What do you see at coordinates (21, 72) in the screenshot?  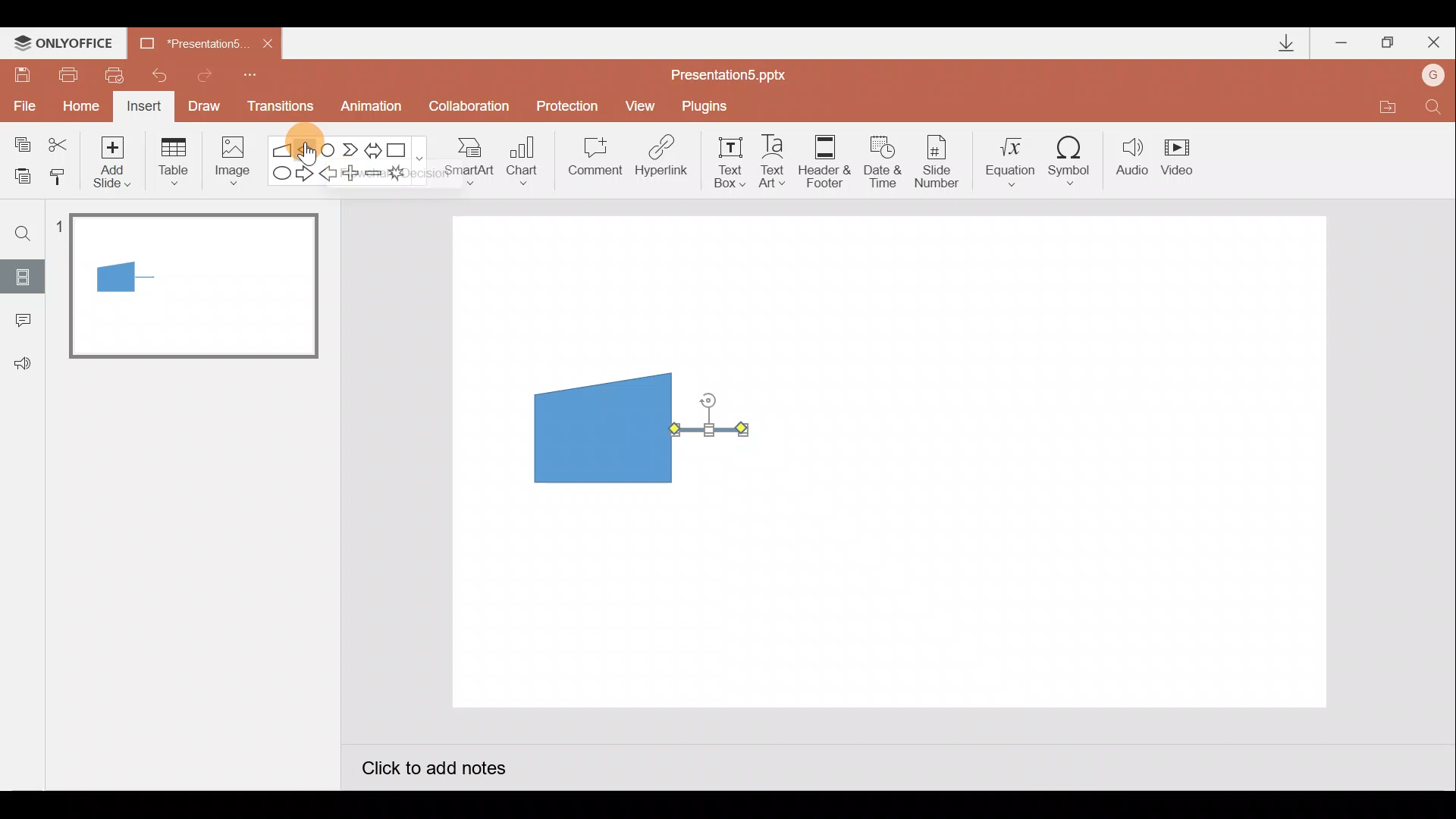 I see `Save` at bounding box center [21, 72].